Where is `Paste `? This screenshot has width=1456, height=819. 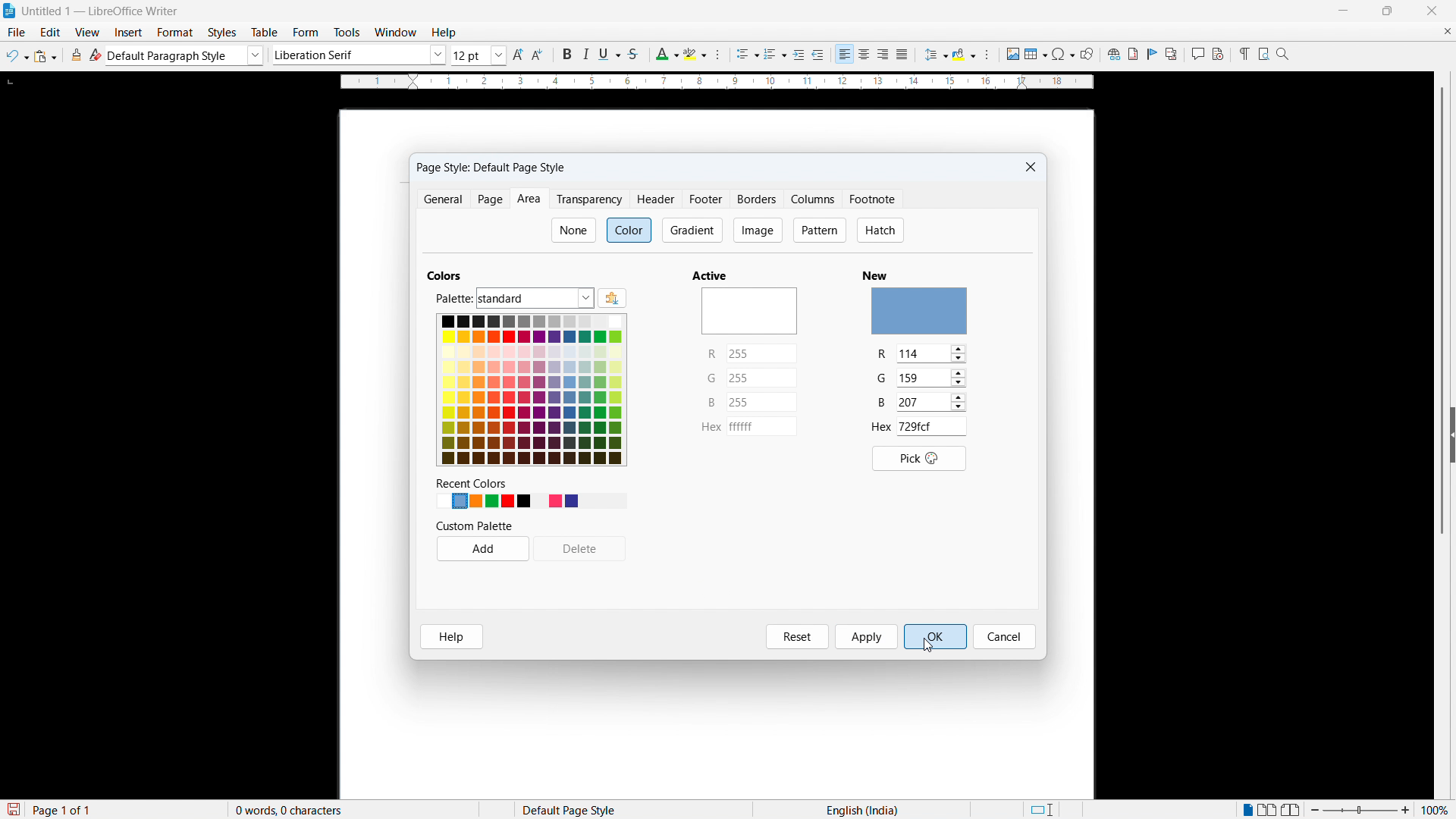 Paste  is located at coordinates (45, 56).